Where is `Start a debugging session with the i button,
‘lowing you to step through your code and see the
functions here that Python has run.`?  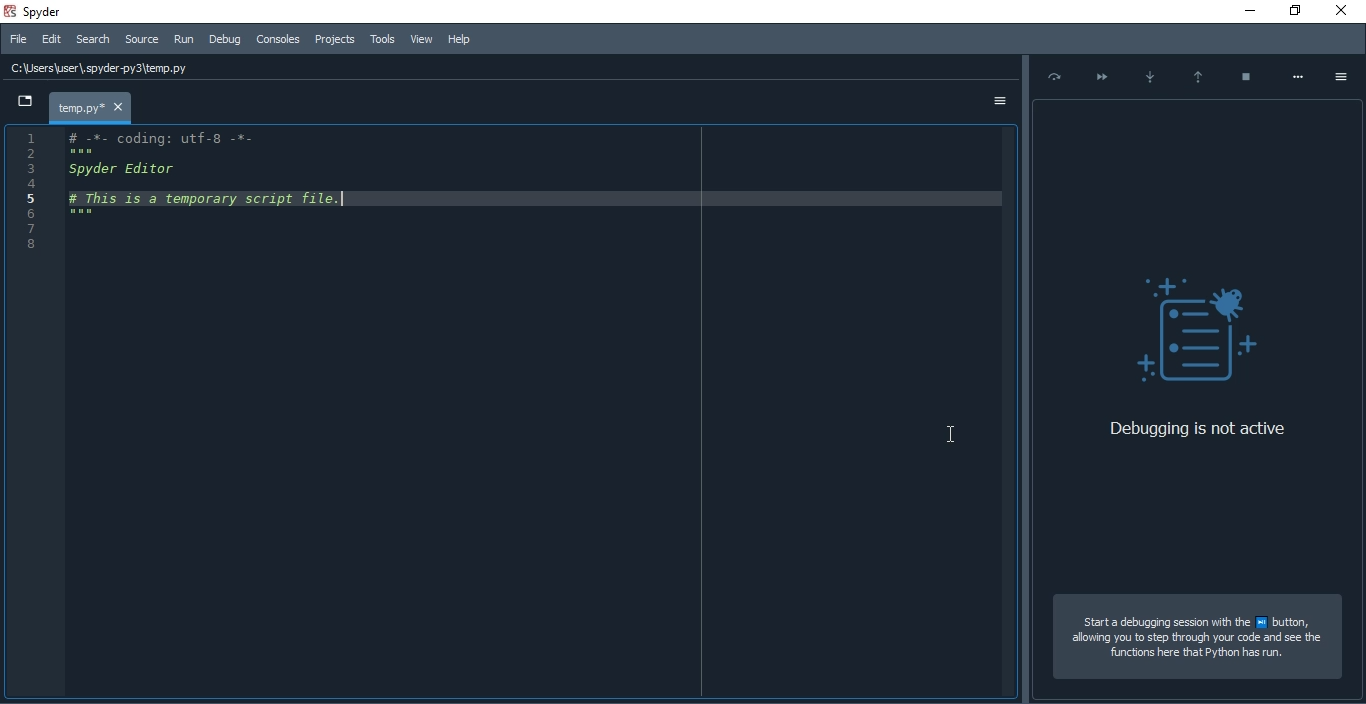
Start a debugging session with the i button,
‘lowing you to step through your code and see the
functions here that Python has run. is located at coordinates (1188, 642).